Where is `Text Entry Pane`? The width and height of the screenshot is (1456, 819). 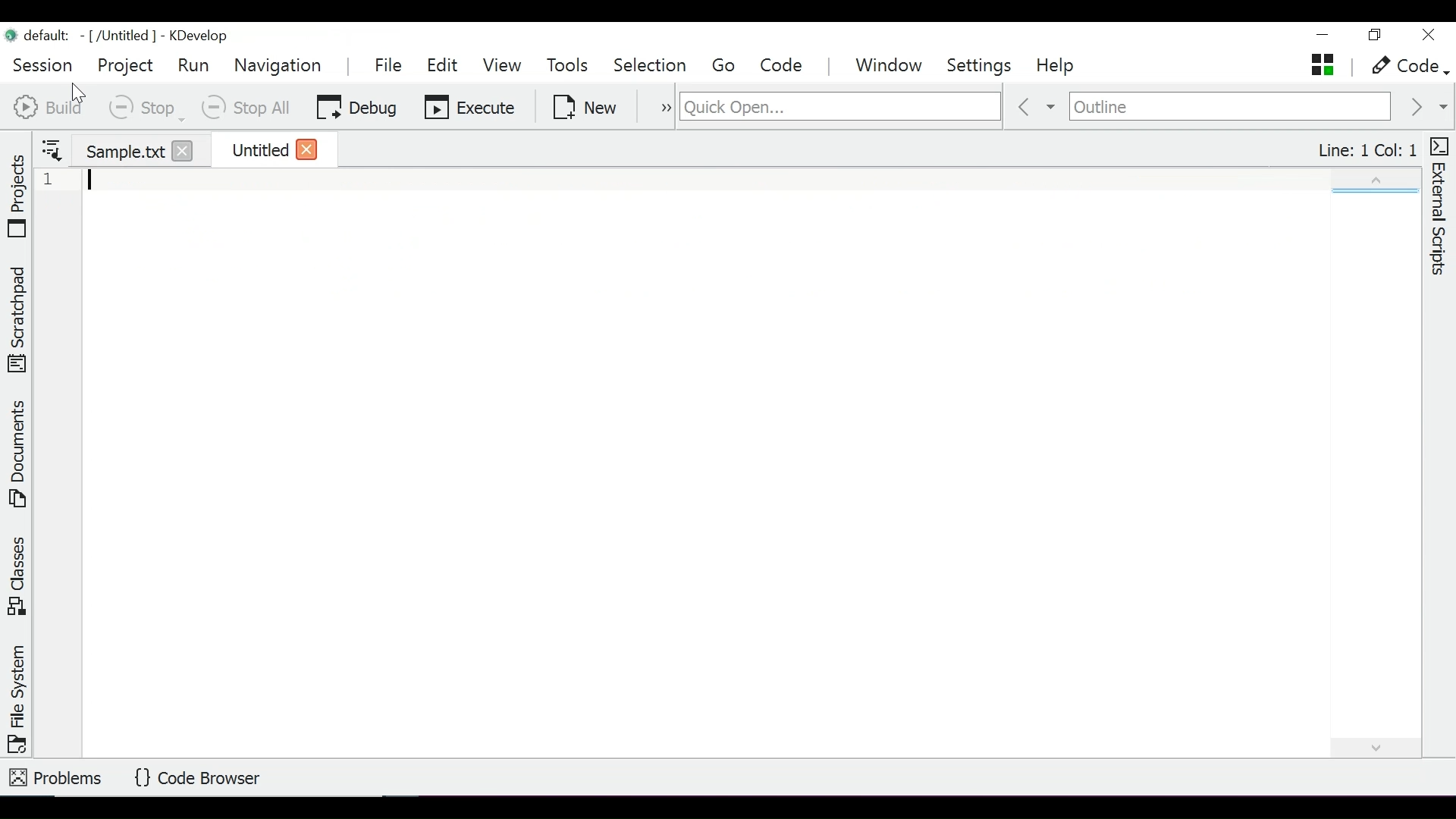 Text Entry Pane is located at coordinates (726, 462).